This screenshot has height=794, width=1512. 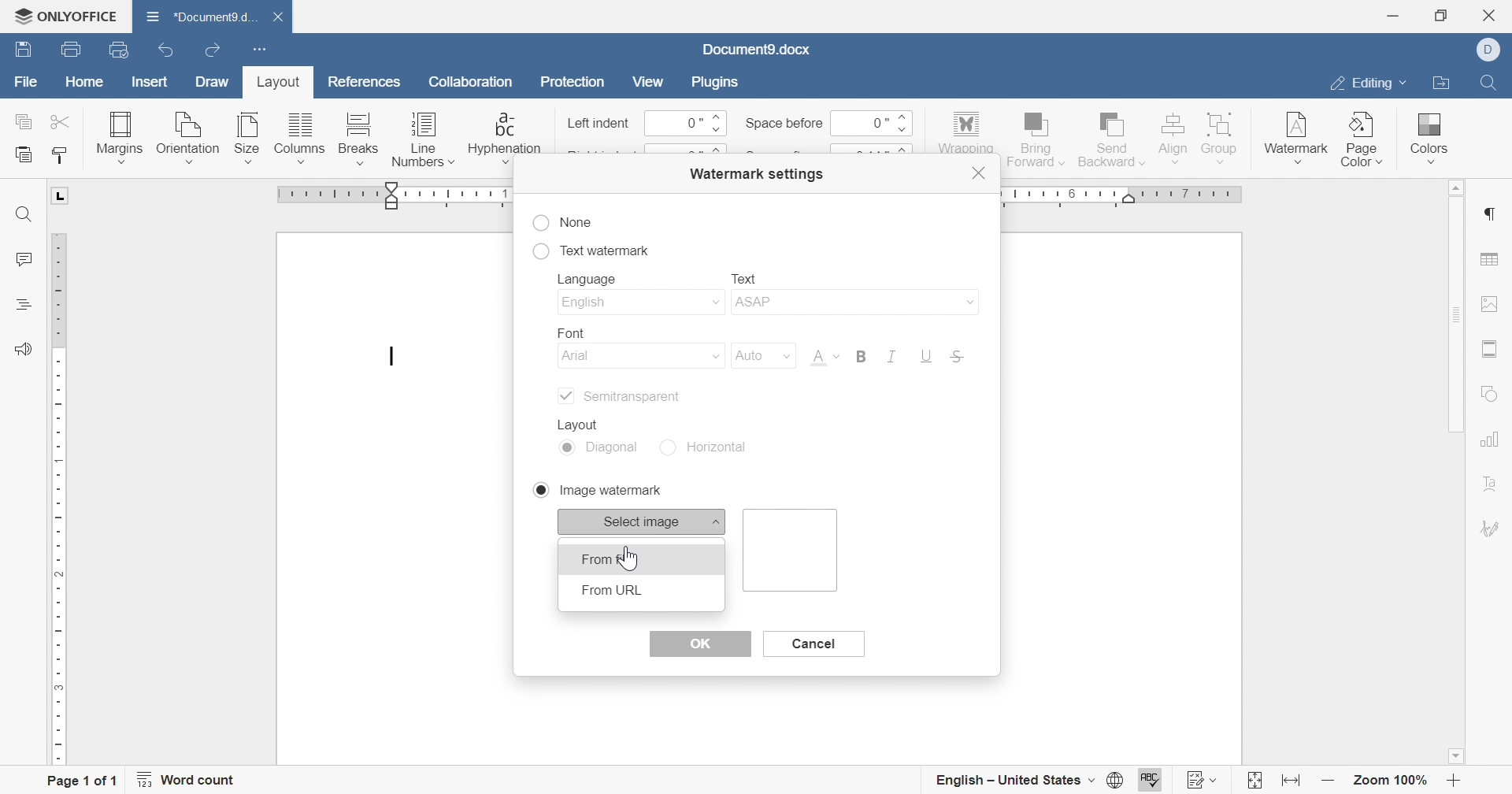 What do you see at coordinates (823, 359) in the screenshot?
I see `Font` at bounding box center [823, 359].